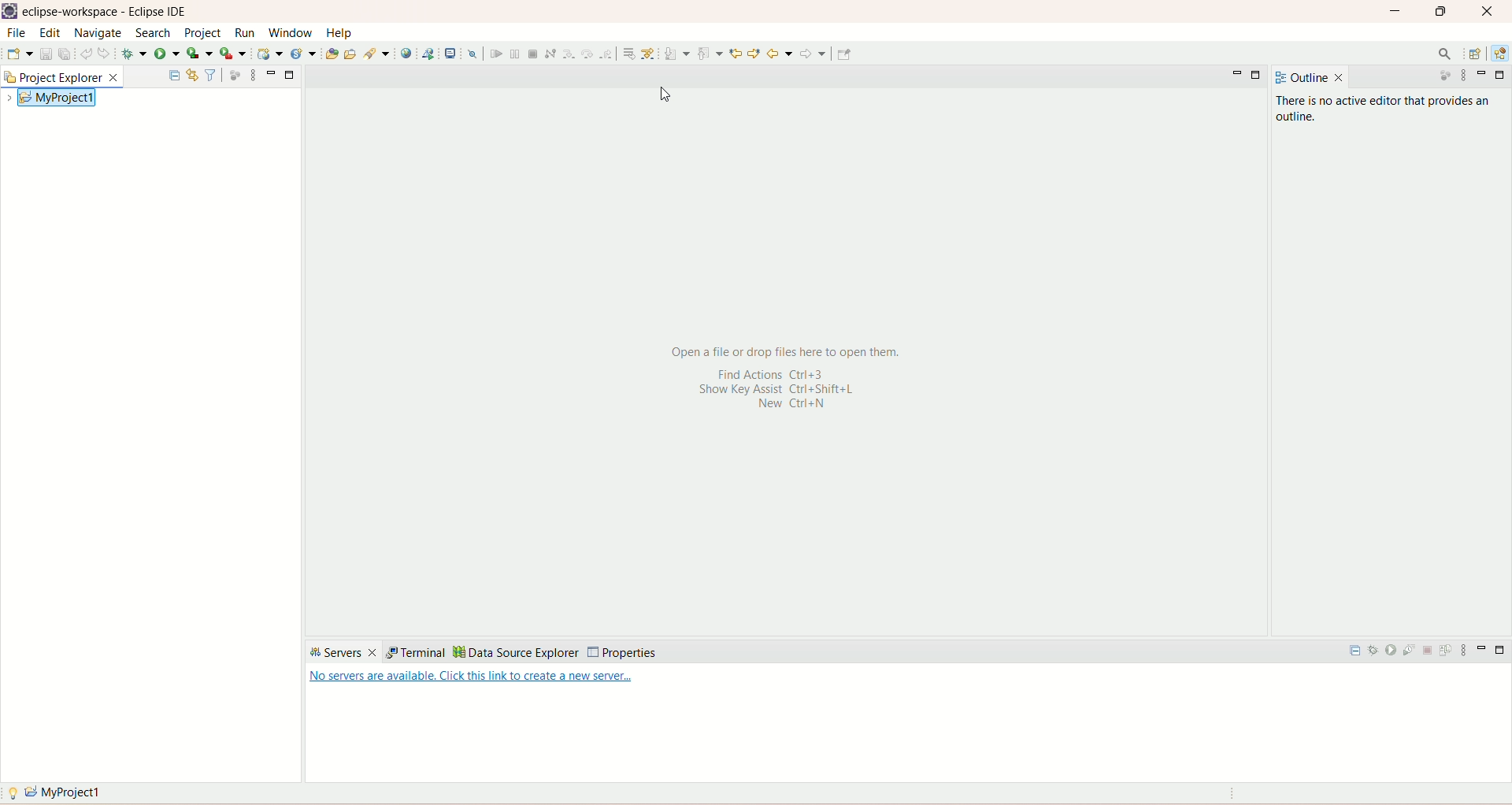 The width and height of the screenshot is (1512, 805). Describe the element at coordinates (621, 652) in the screenshot. I see `properties` at that location.